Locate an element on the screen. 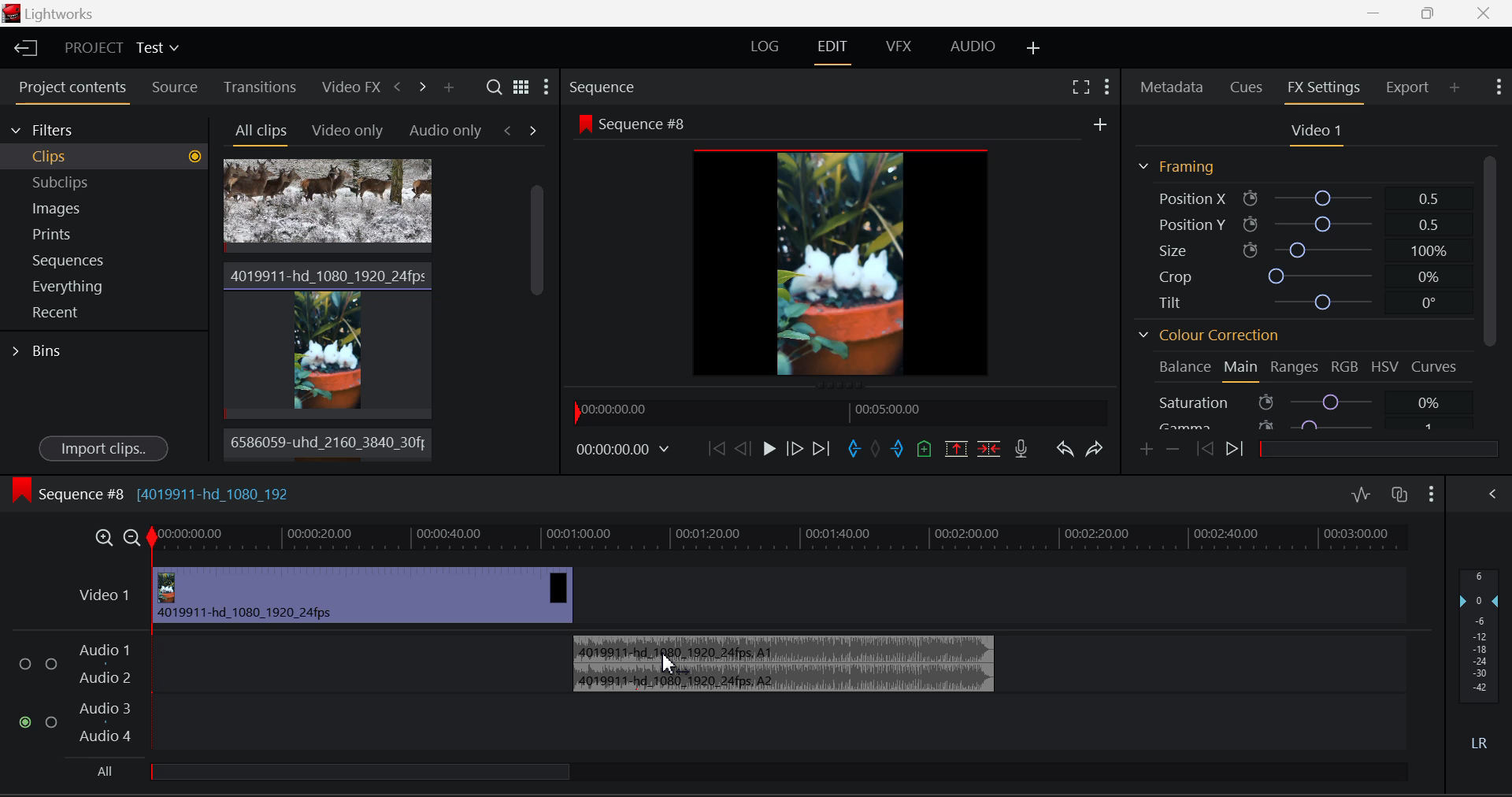 The width and height of the screenshot is (1512, 797). Transitions is located at coordinates (259, 86).